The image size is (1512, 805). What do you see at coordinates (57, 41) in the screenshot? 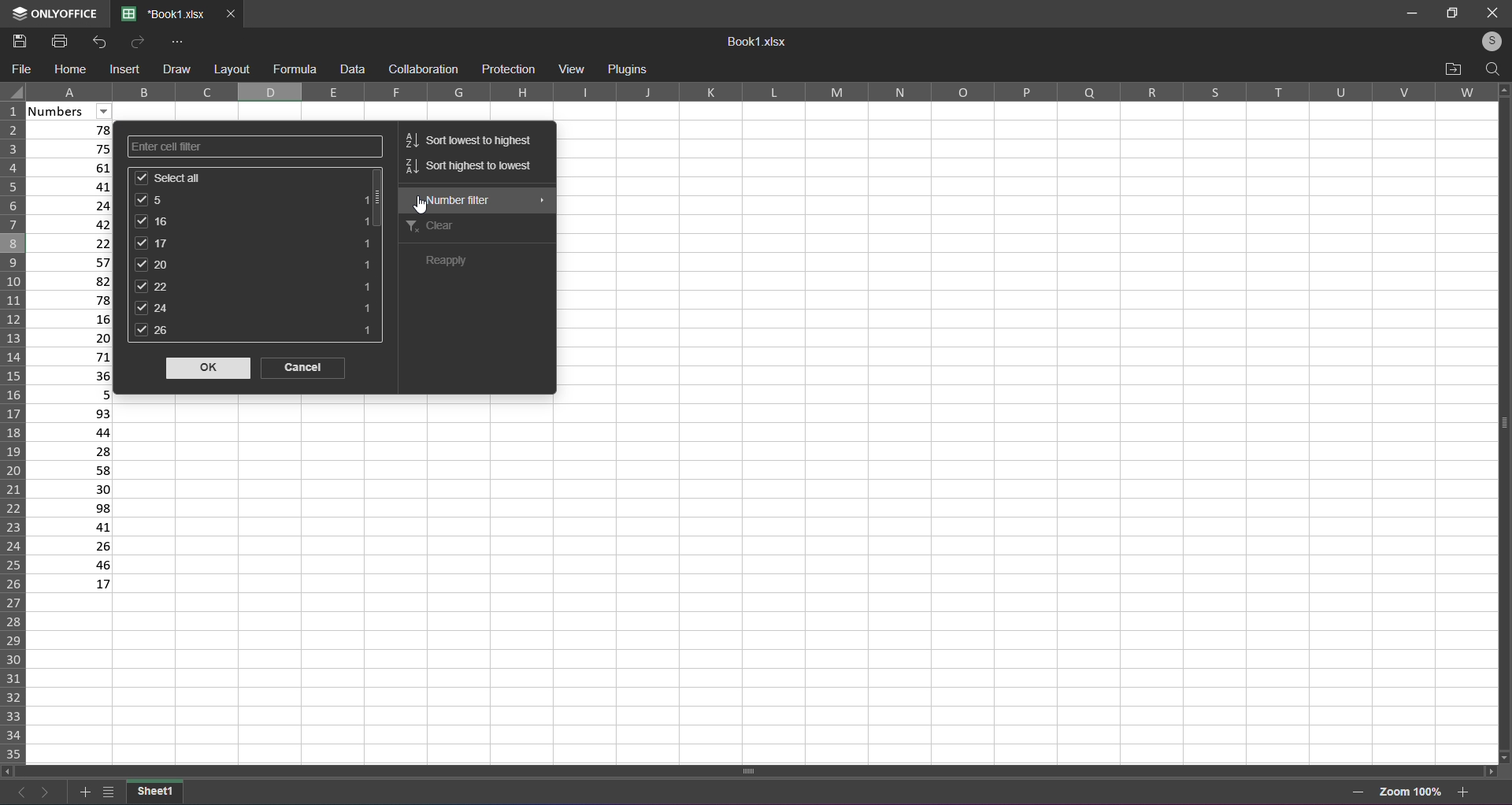
I see `print` at bounding box center [57, 41].